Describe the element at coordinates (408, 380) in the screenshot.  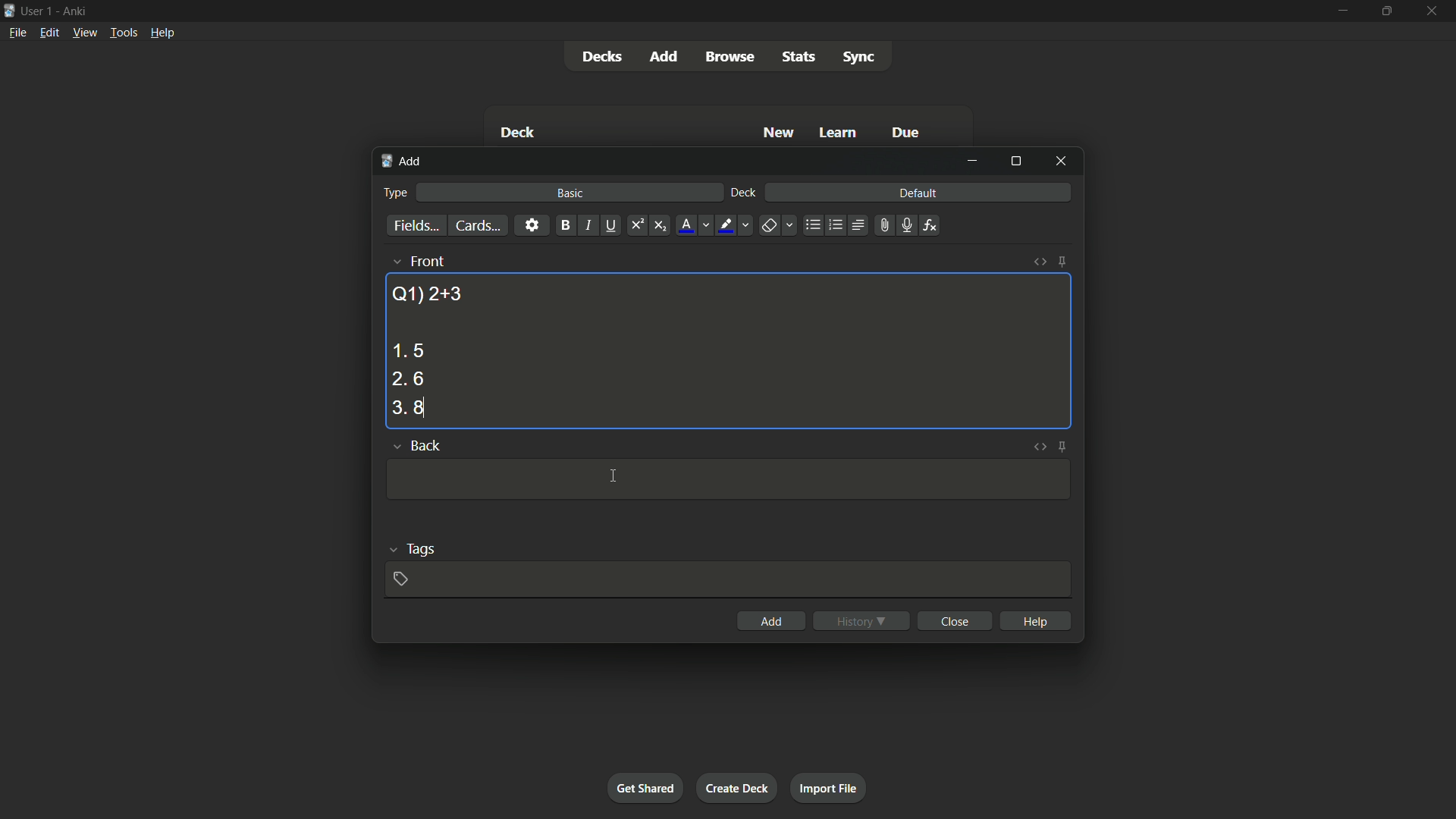
I see `option 2` at that location.